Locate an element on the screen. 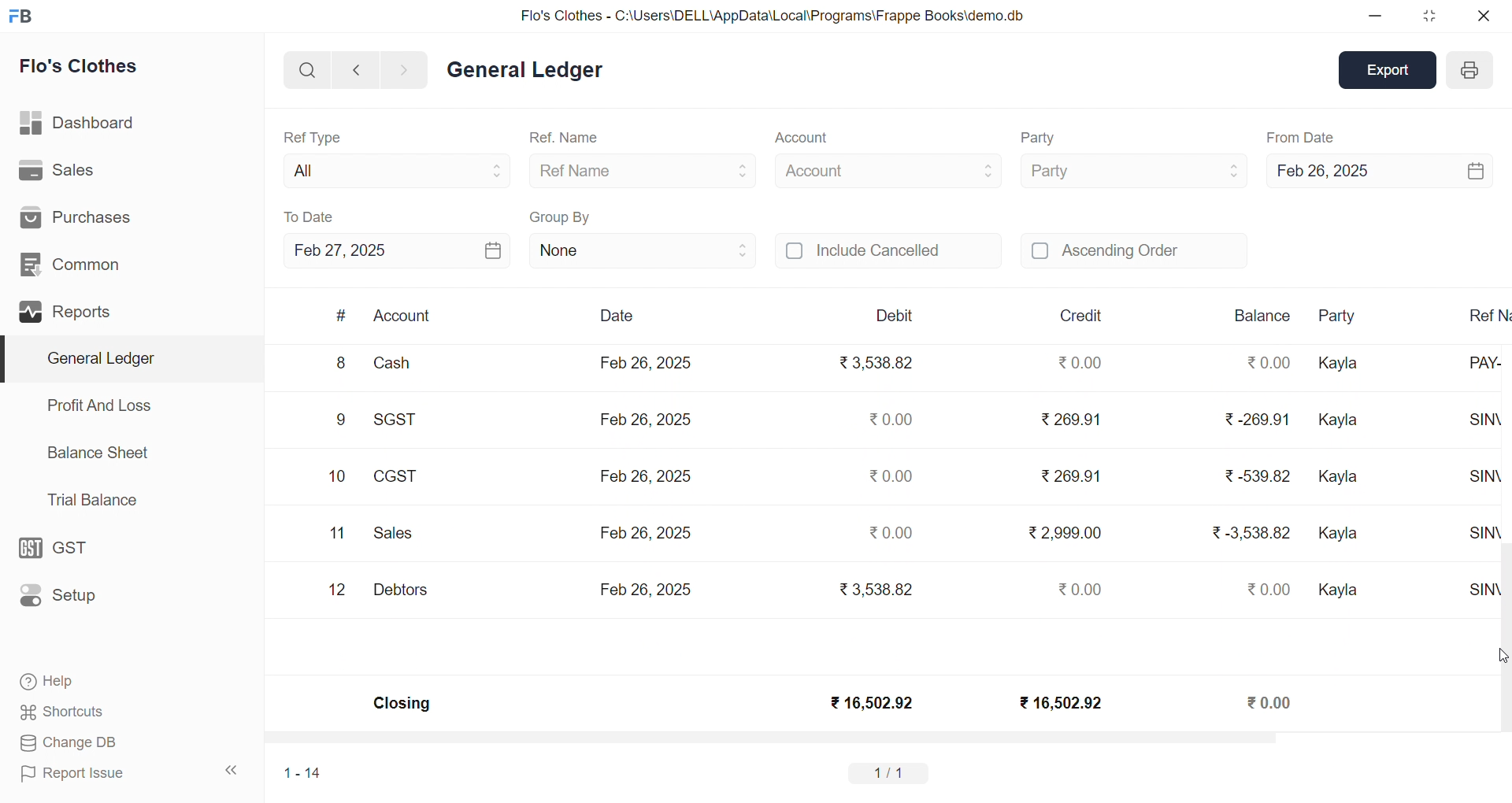 The image size is (1512, 803). ₹0.00 is located at coordinates (888, 419).